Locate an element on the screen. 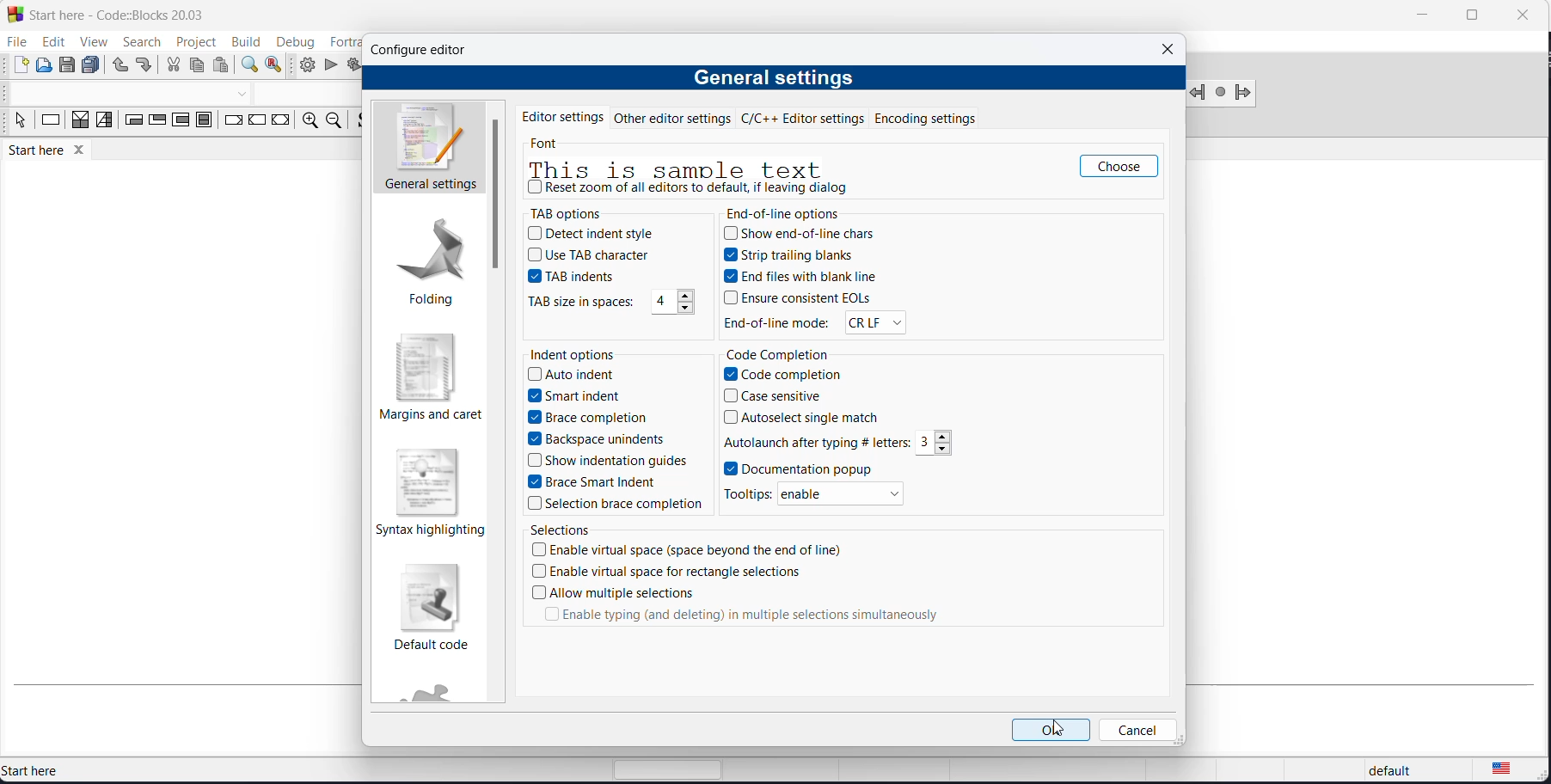 This screenshot has width=1551, height=784. selections is located at coordinates (566, 530).